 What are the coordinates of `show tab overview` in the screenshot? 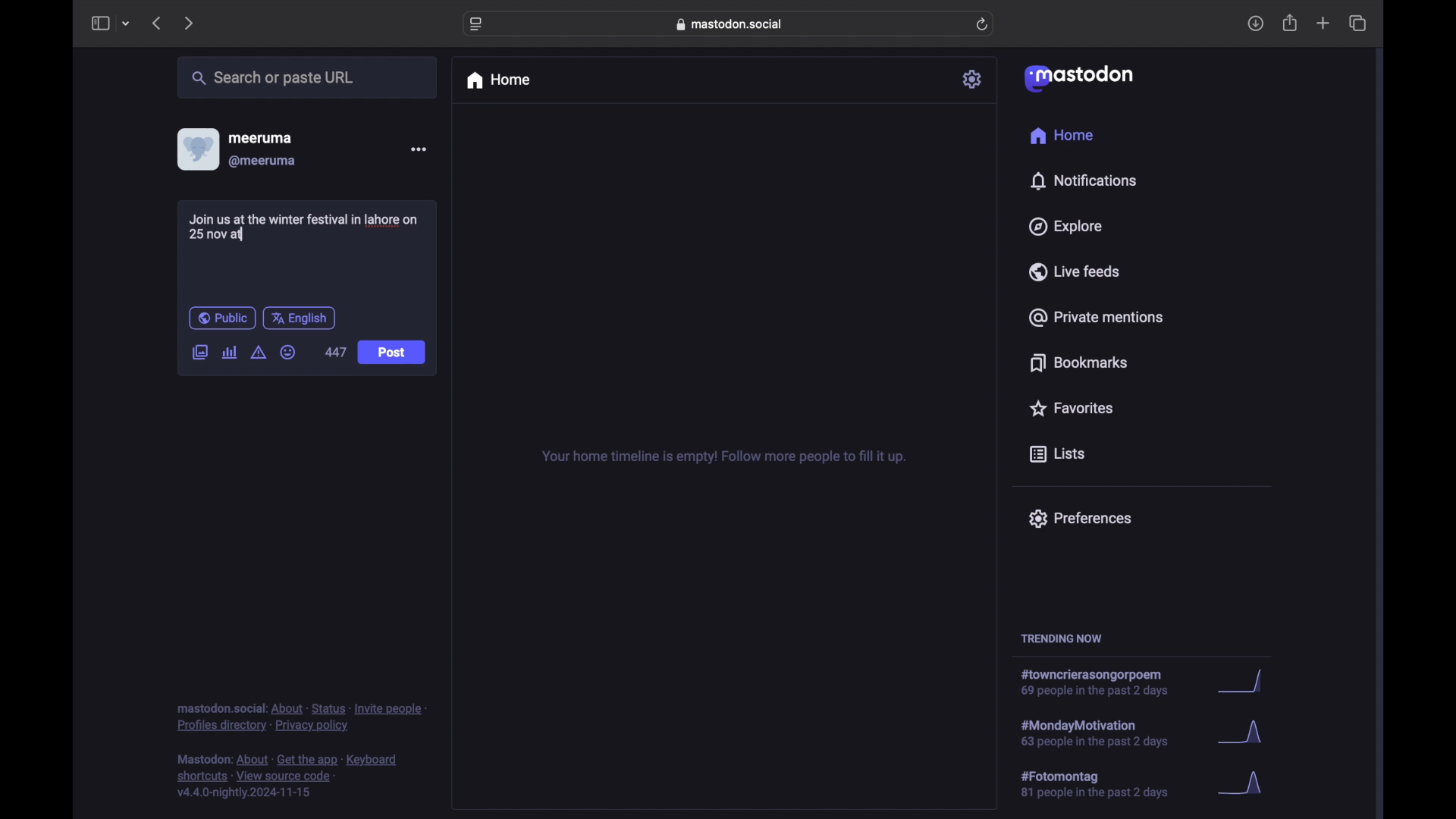 It's located at (1357, 24).